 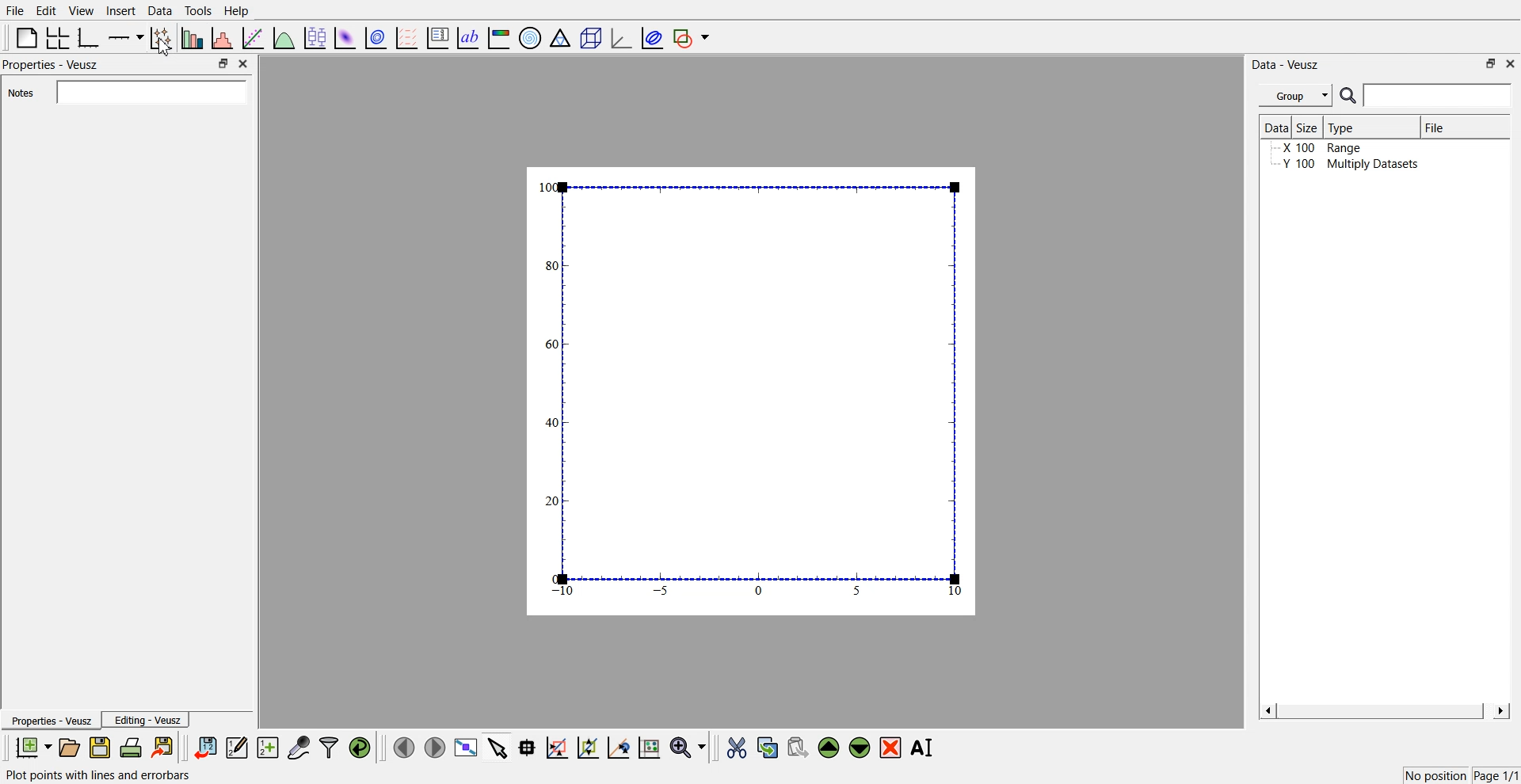 I want to click on enter search field, so click(x=1439, y=96).